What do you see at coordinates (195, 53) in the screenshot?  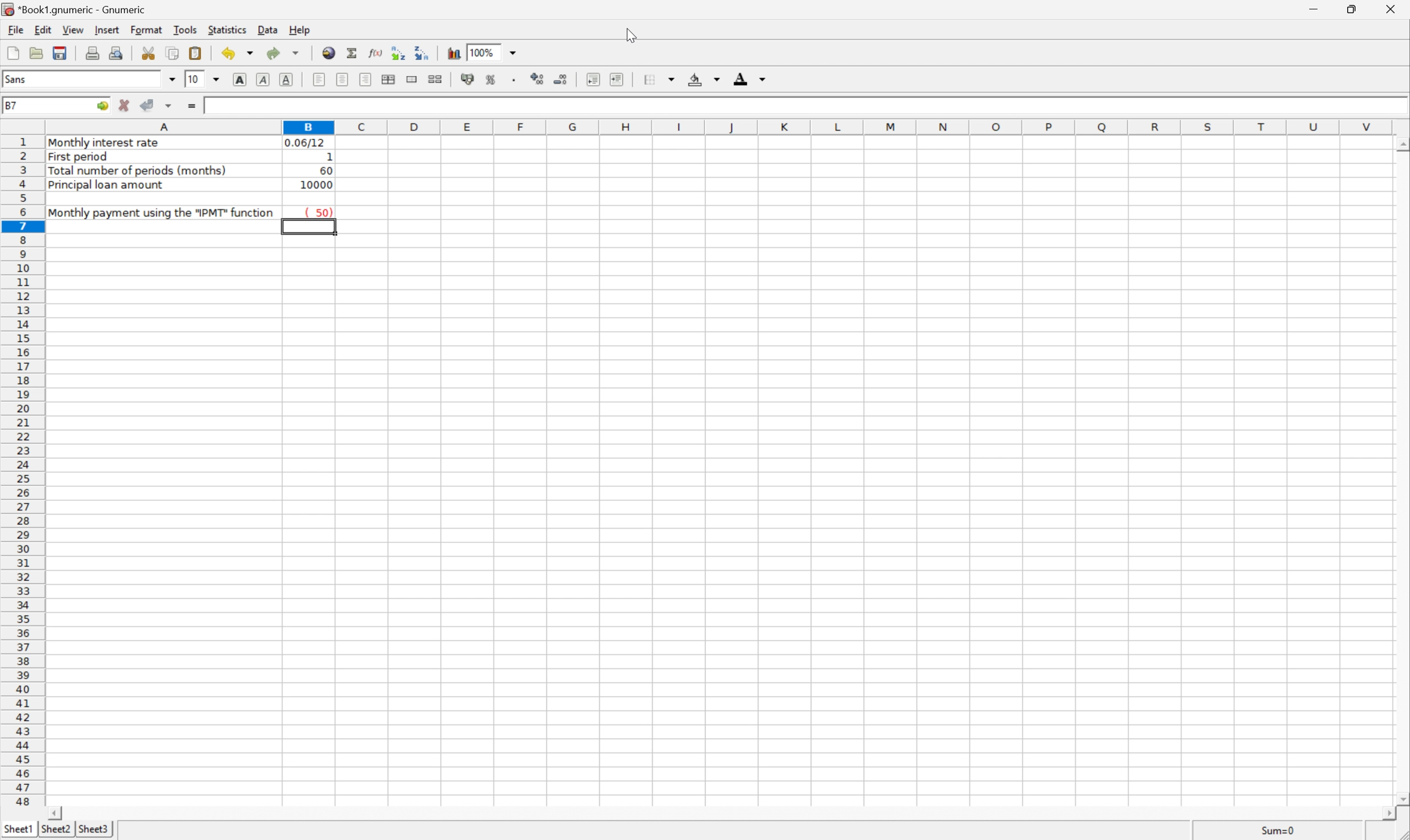 I see `Paste clipboard` at bounding box center [195, 53].